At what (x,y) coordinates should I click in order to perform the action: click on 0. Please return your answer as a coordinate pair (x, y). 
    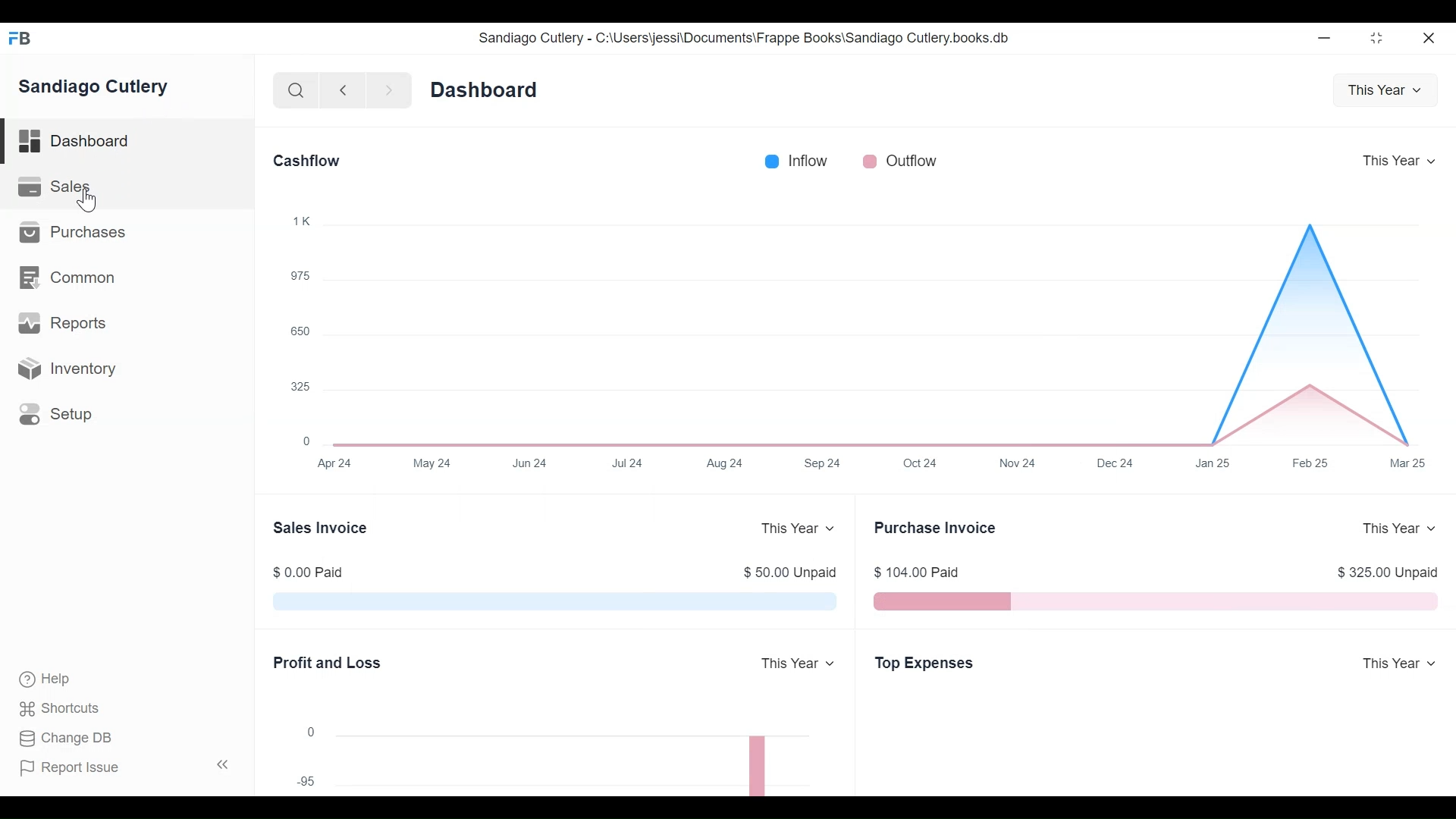
    Looking at the image, I should click on (309, 732).